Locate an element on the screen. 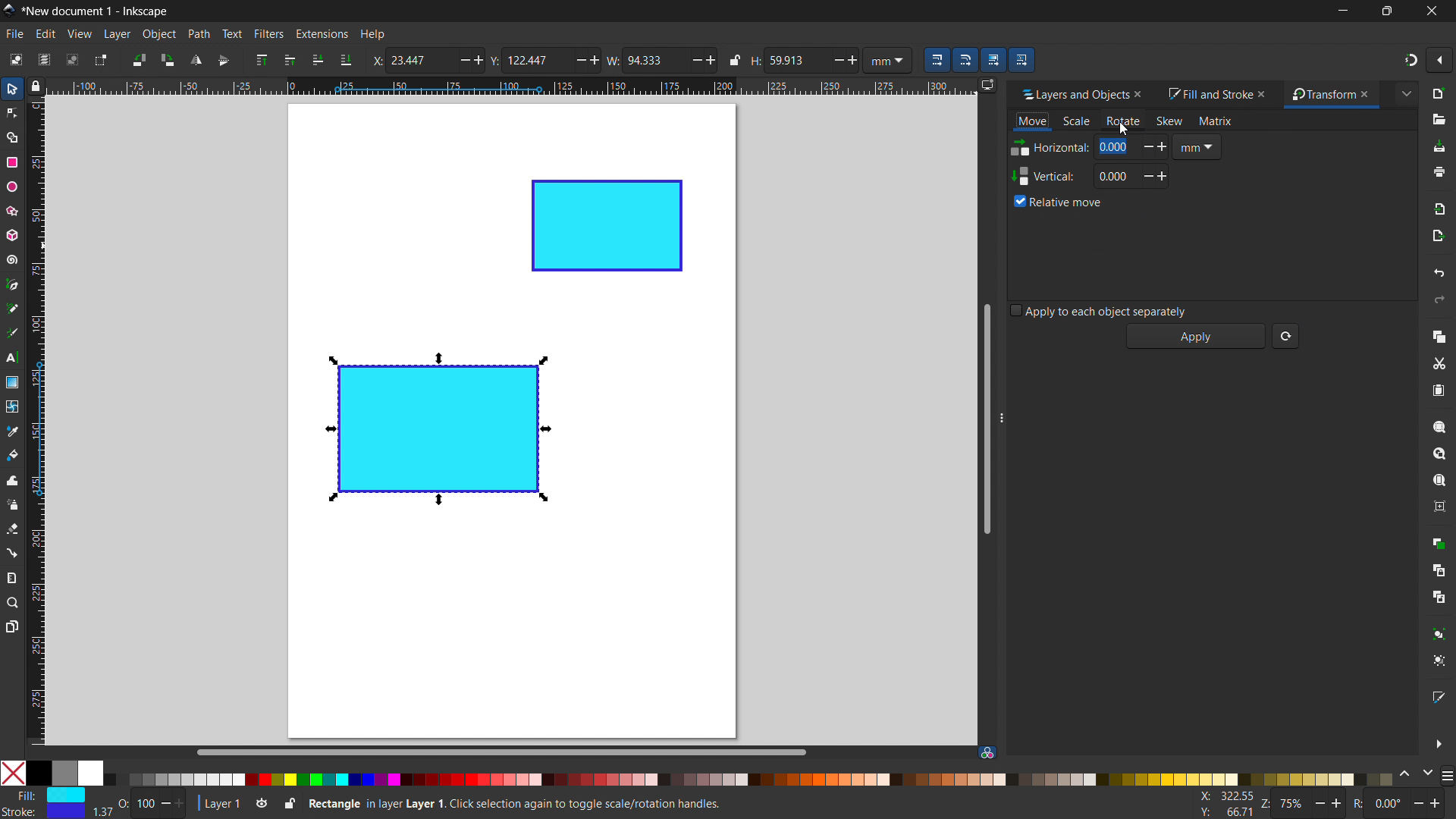 The image size is (1456, 819). No color is located at coordinates (14, 772).